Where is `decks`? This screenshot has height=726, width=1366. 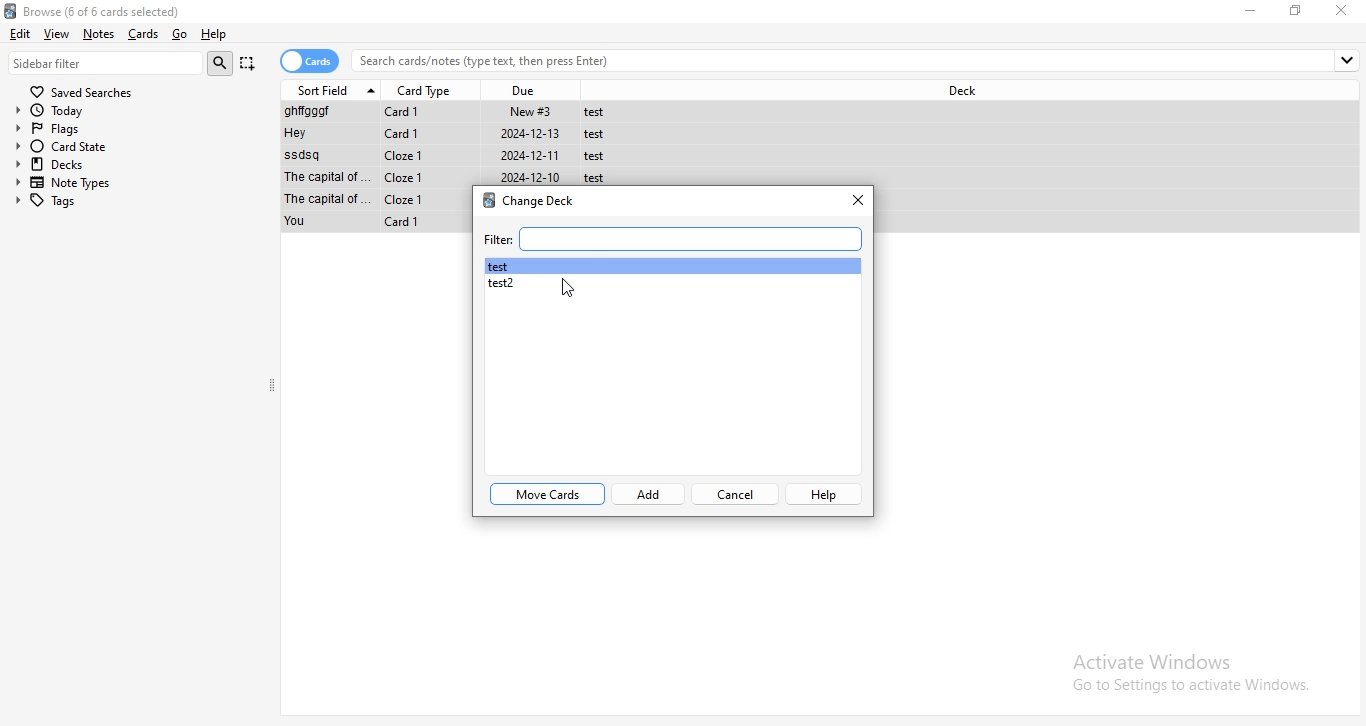 decks is located at coordinates (134, 164).